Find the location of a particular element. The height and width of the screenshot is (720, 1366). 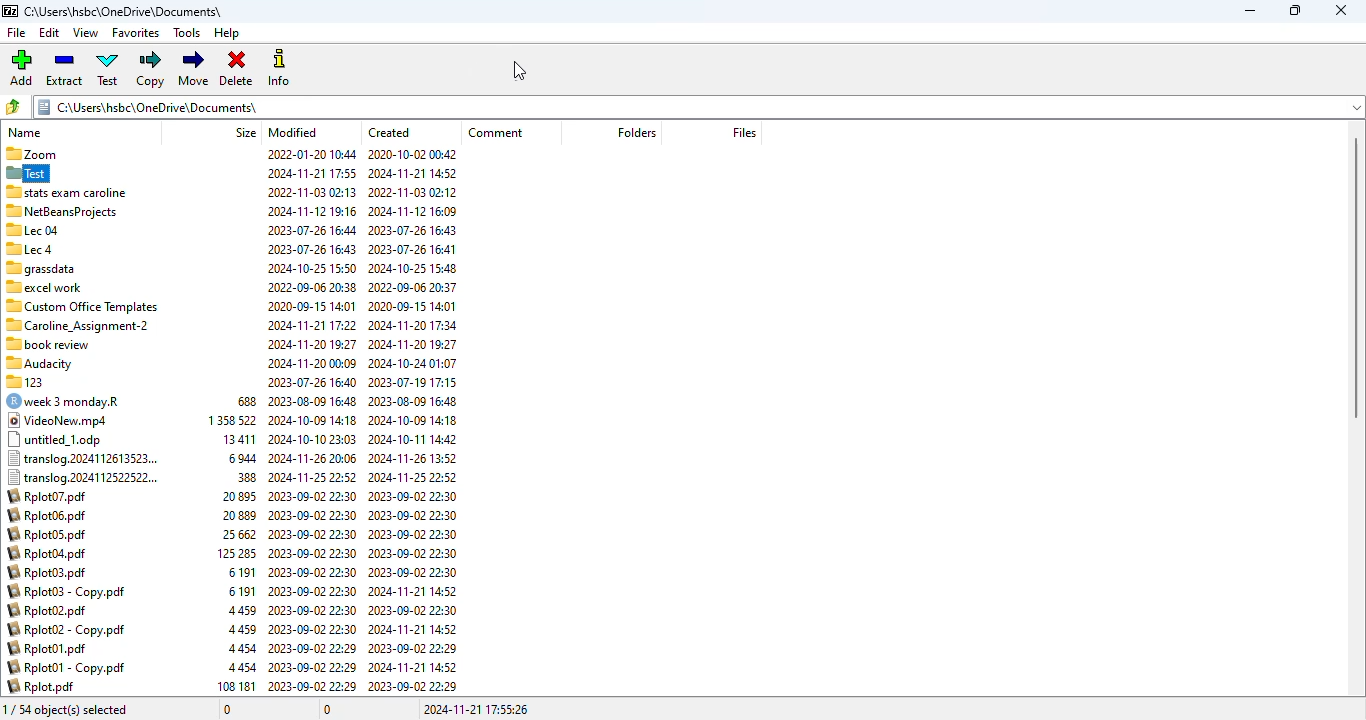

2024-11-25 22:52 is located at coordinates (313, 477).